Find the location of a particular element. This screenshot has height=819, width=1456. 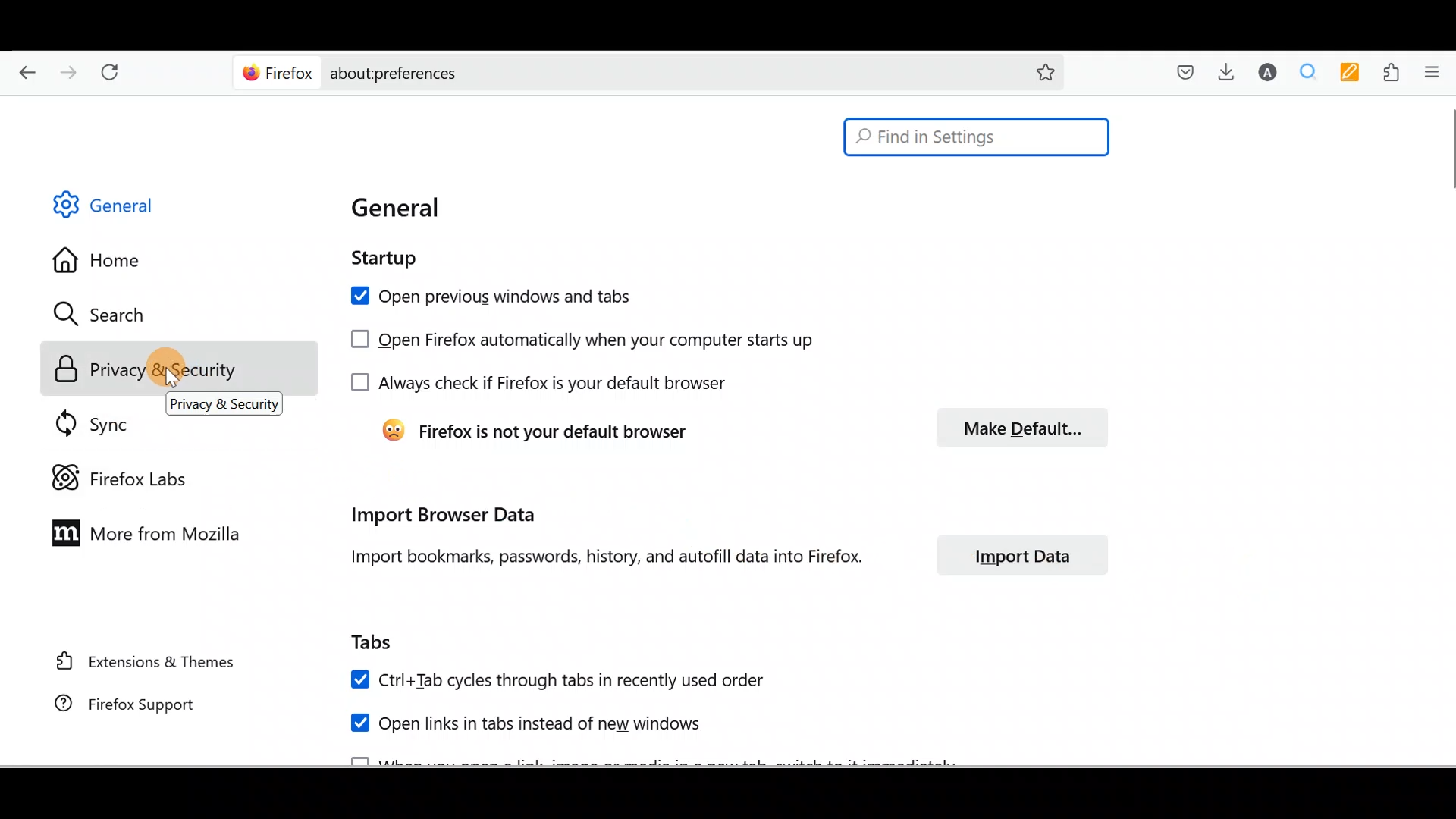

More from Mozilla is located at coordinates (149, 537).